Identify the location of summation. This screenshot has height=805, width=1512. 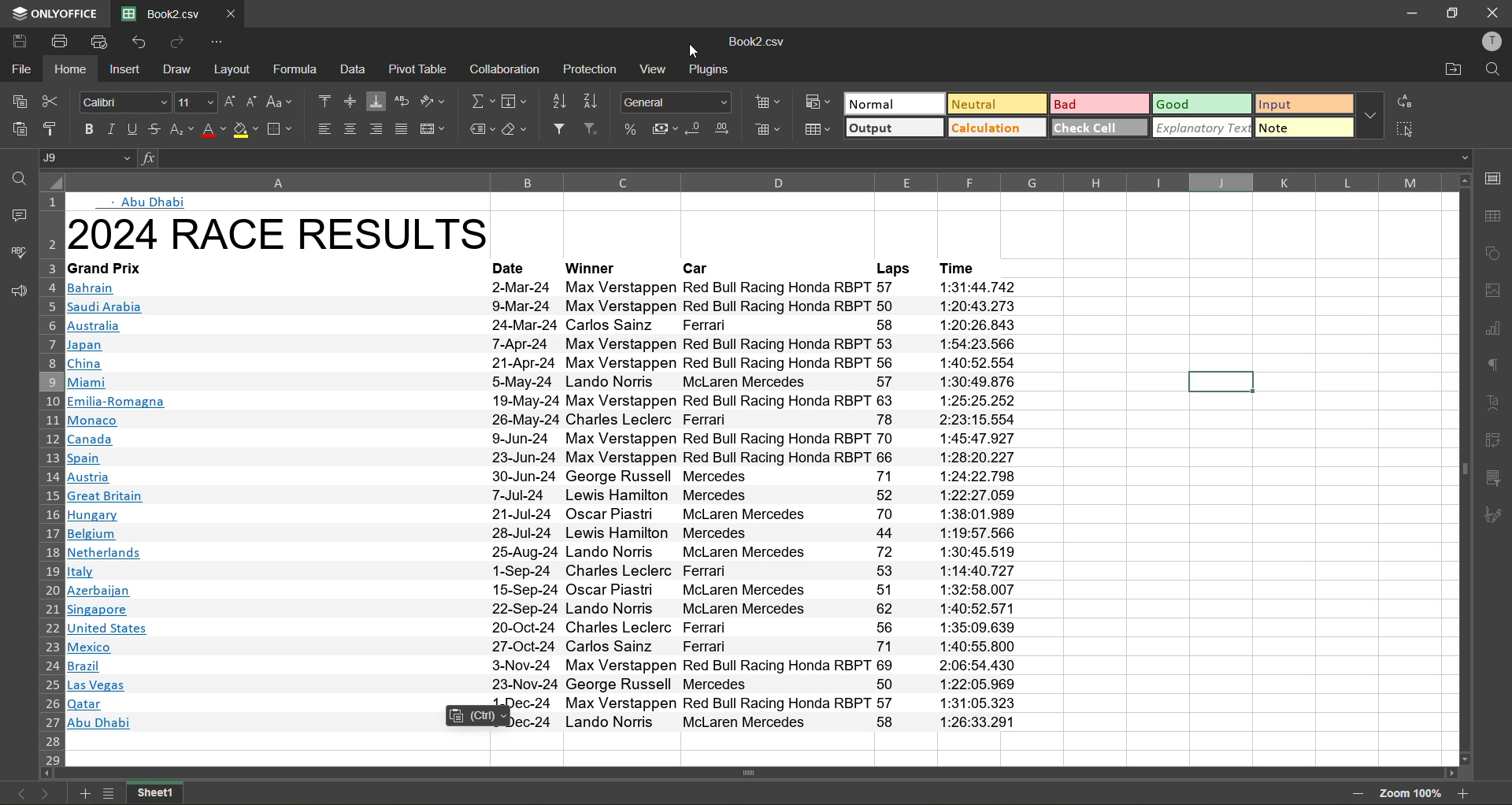
(480, 102).